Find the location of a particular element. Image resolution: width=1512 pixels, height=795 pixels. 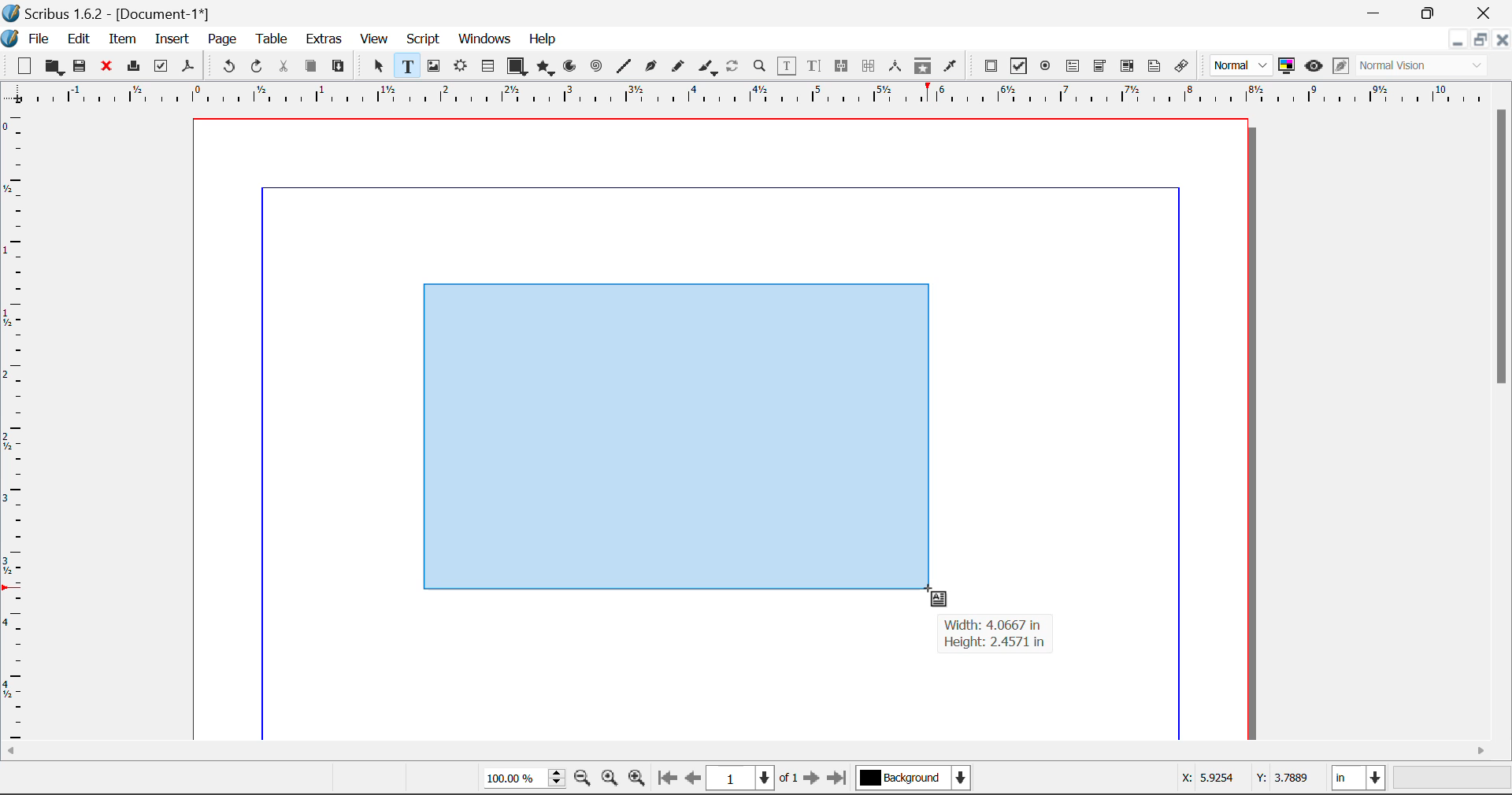

Polygon is located at coordinates (547, 68).